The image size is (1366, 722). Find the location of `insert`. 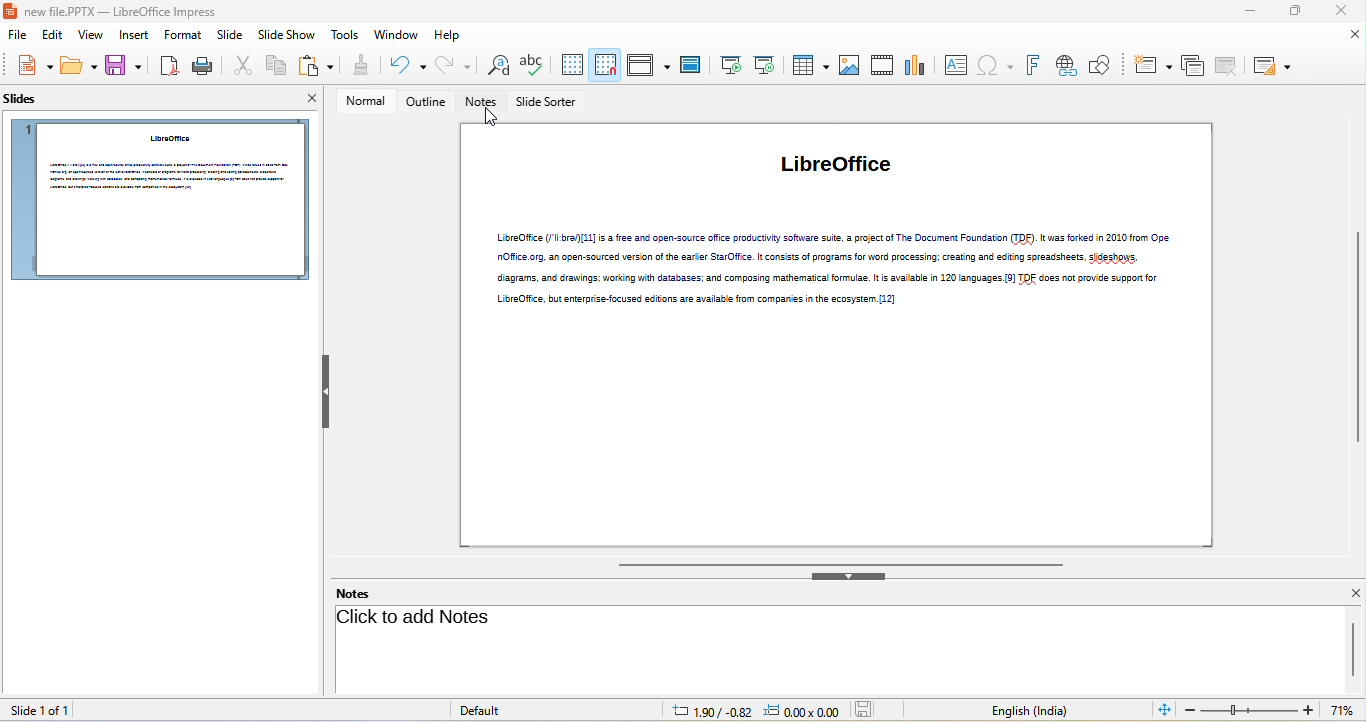

insert is located at coordinates (136, 36).